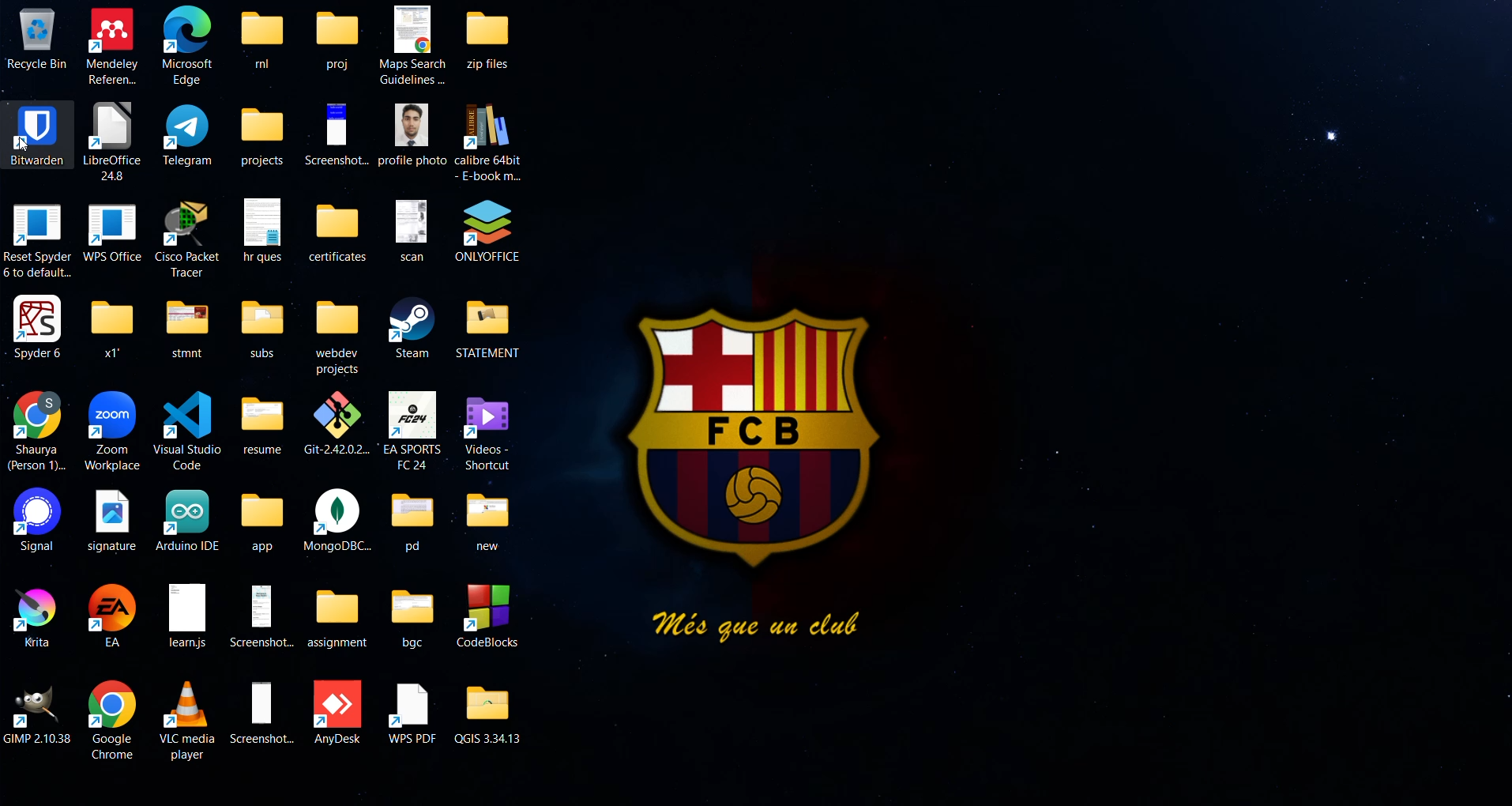 This screenshot has width=1512, height=806. What do you see at coordinates (337, 38) in the screenshot?
I see `proj` at bounding box center [337, 38].